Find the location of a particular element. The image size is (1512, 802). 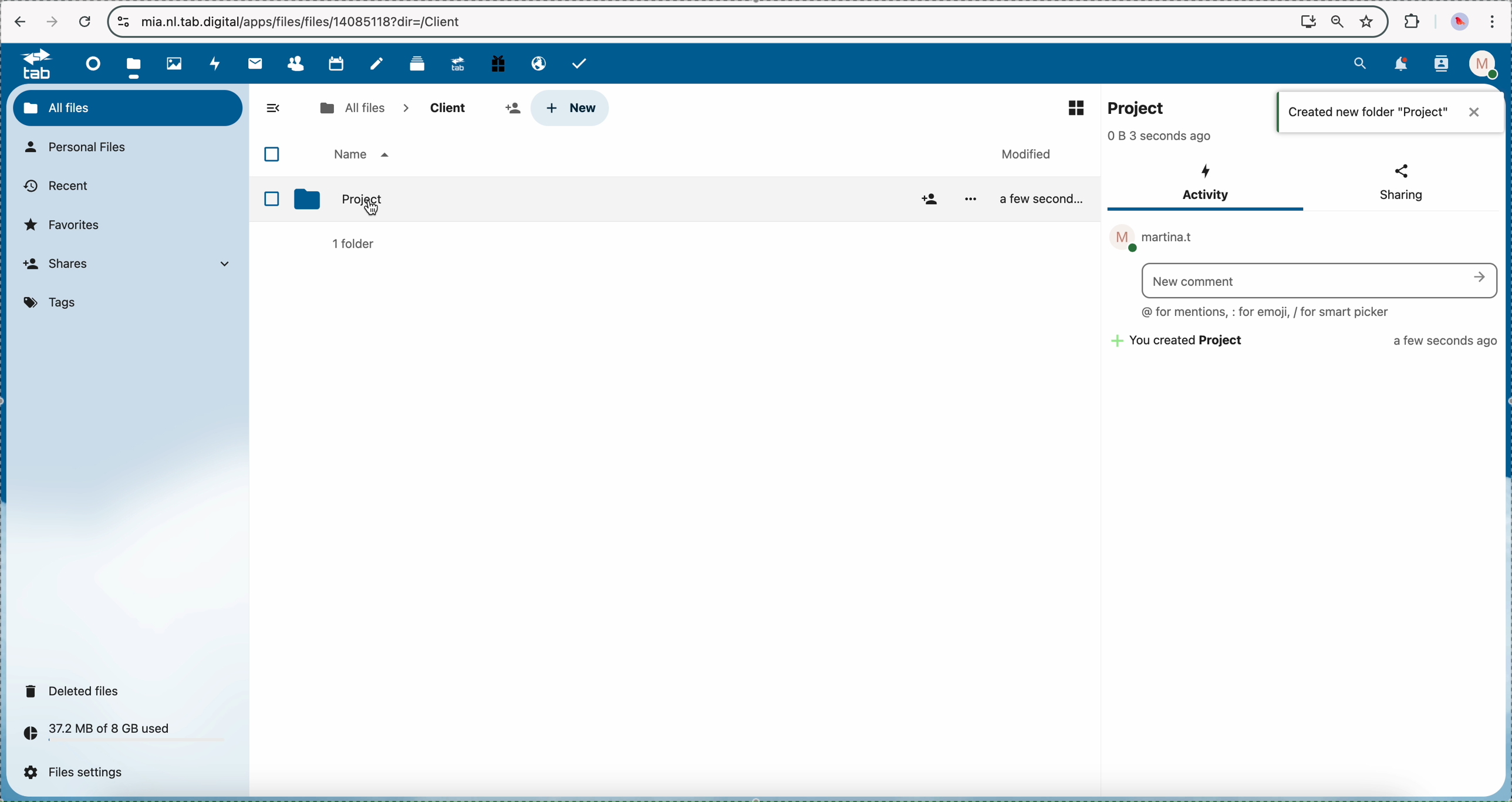

free is located at coordinates (498, 62).